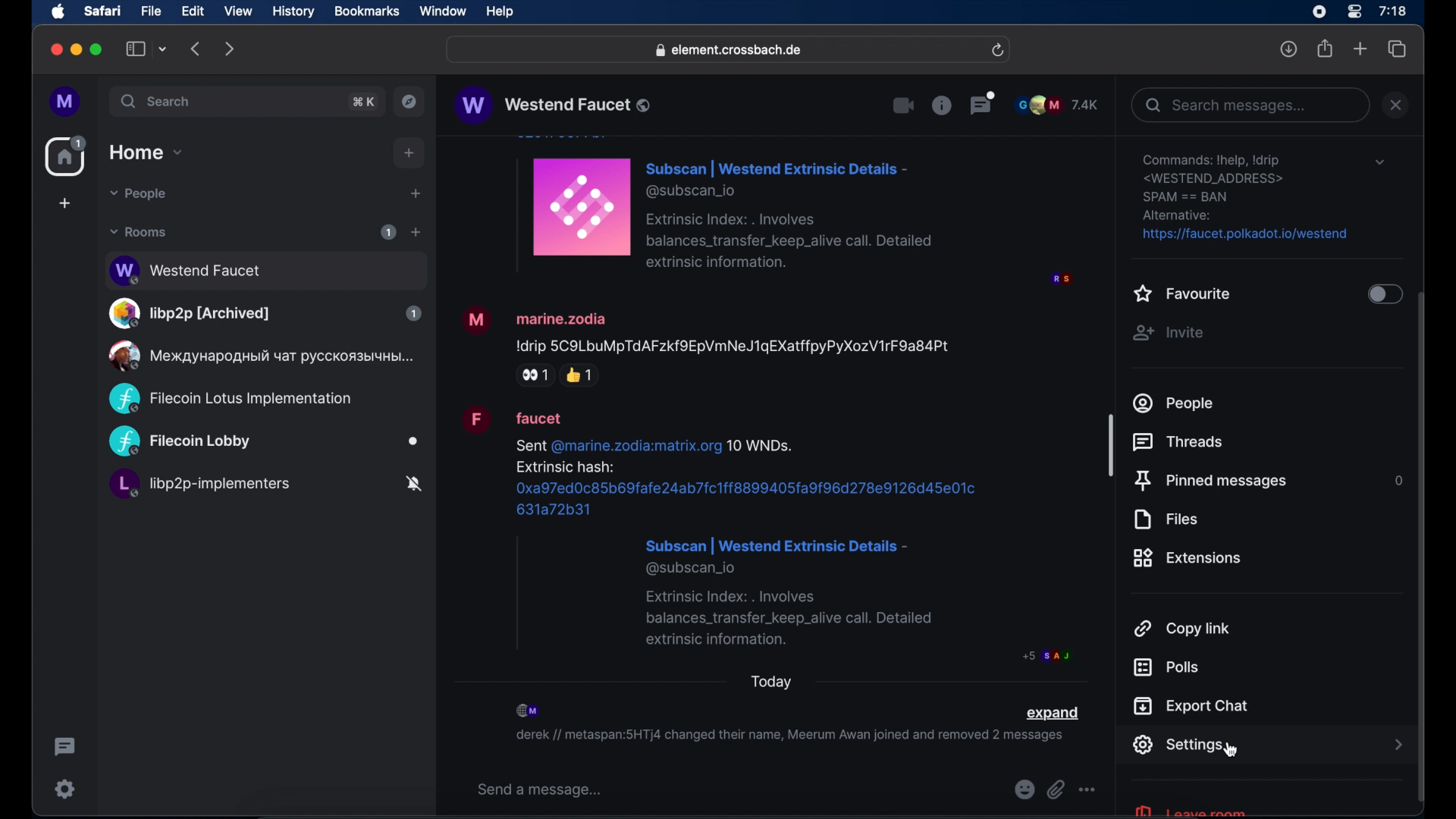 The image size is (1456, 819). I want to click on copy link, so click(1183, 627).